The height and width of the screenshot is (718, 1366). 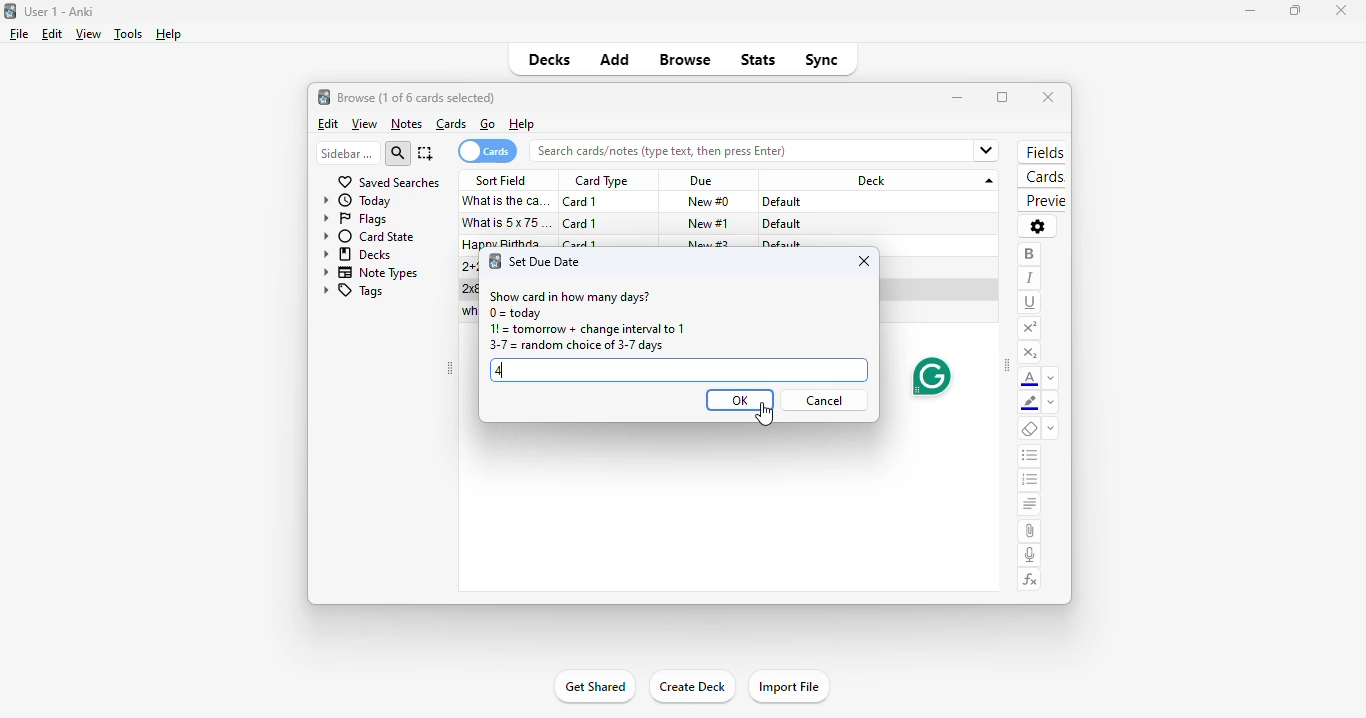 What do you see at coordinates (358, 201) in the screenshot?
I see `today` at bounding box center [358, 201].